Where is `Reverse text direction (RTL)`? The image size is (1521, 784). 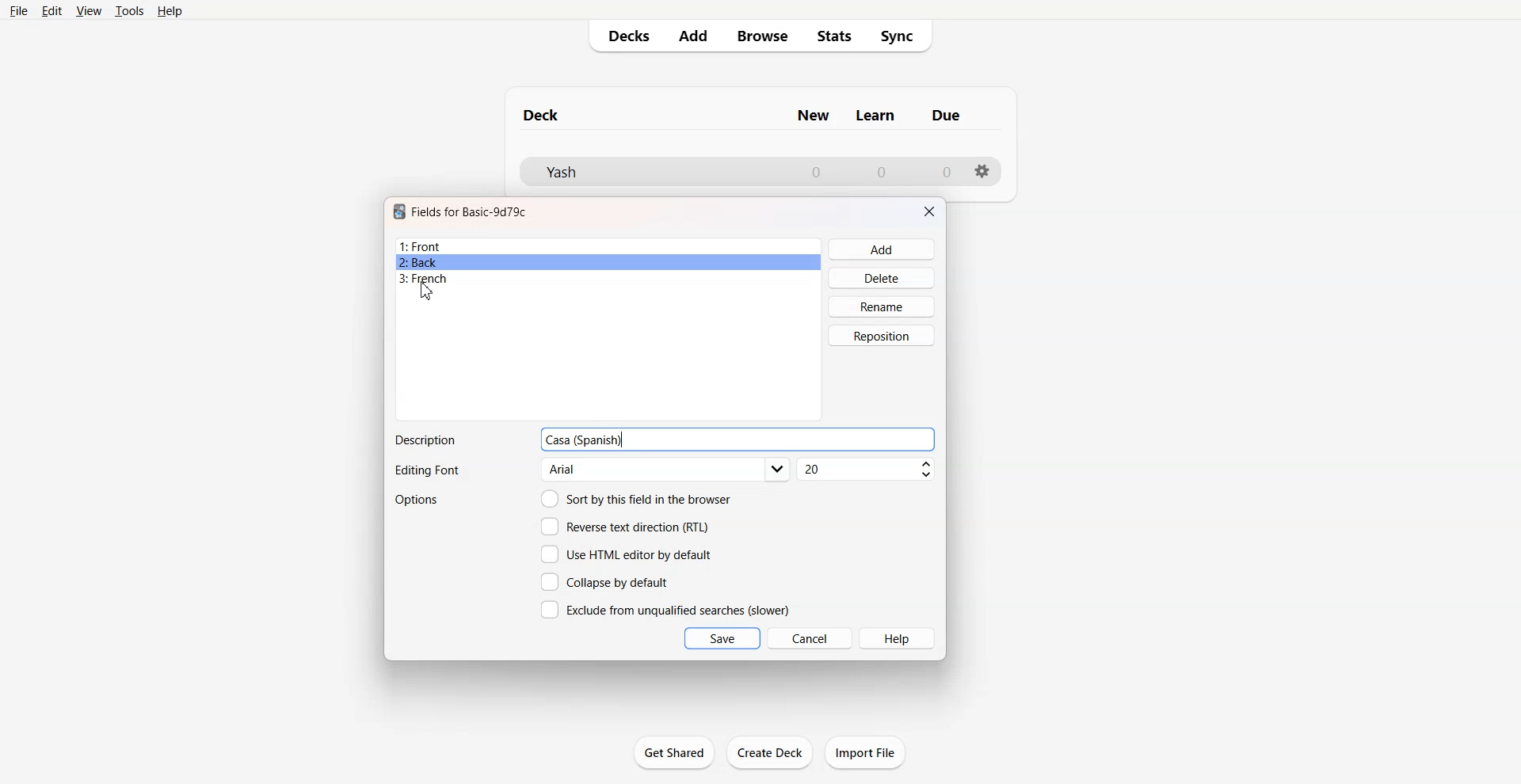
Reverse text direction (RTL) is located at coordinates (625, 527).